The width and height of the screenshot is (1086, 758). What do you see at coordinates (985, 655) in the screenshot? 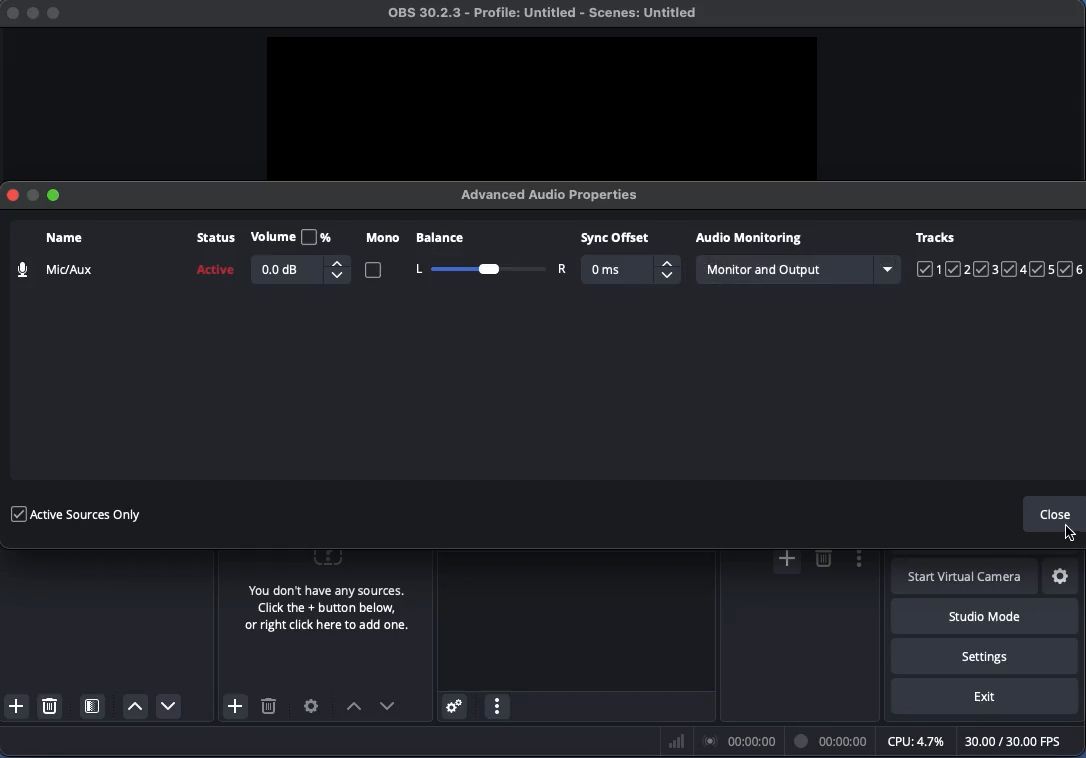
I see `Settings` at bounding box center [985, 655].